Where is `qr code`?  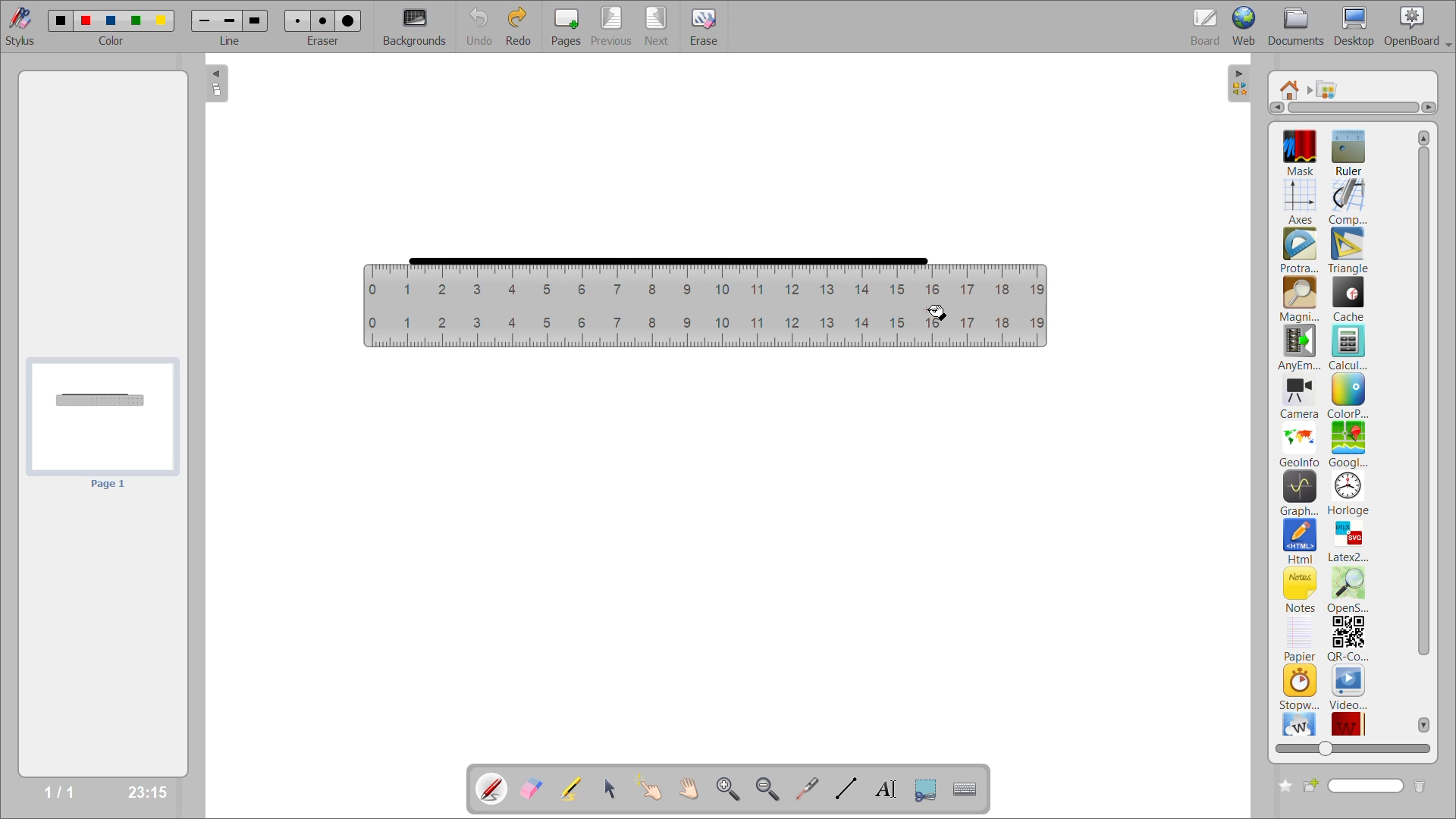
qr code is located at coordinates (1348, 639).